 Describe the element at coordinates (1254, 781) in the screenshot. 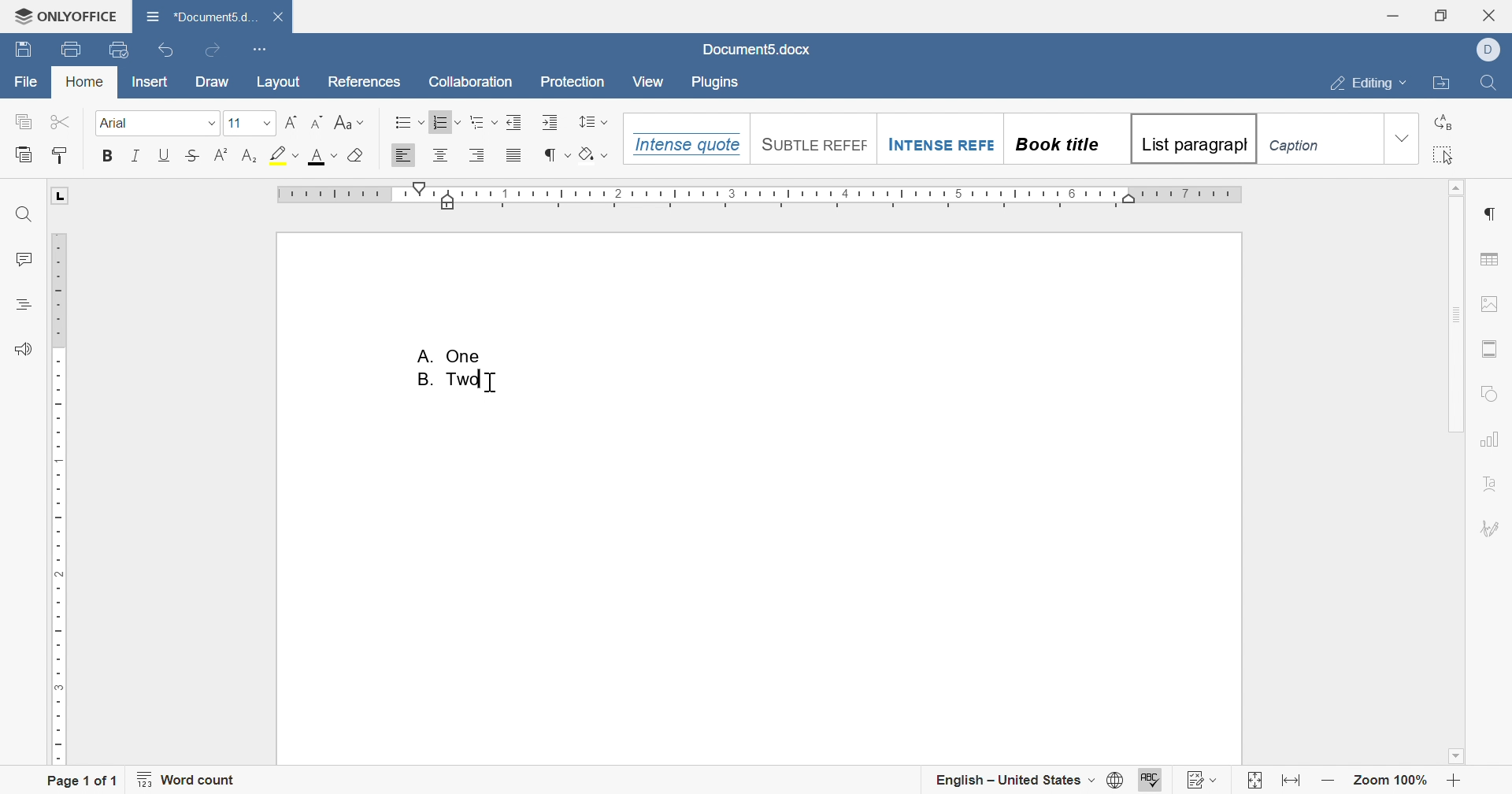

I see `fit to slide` at that location.